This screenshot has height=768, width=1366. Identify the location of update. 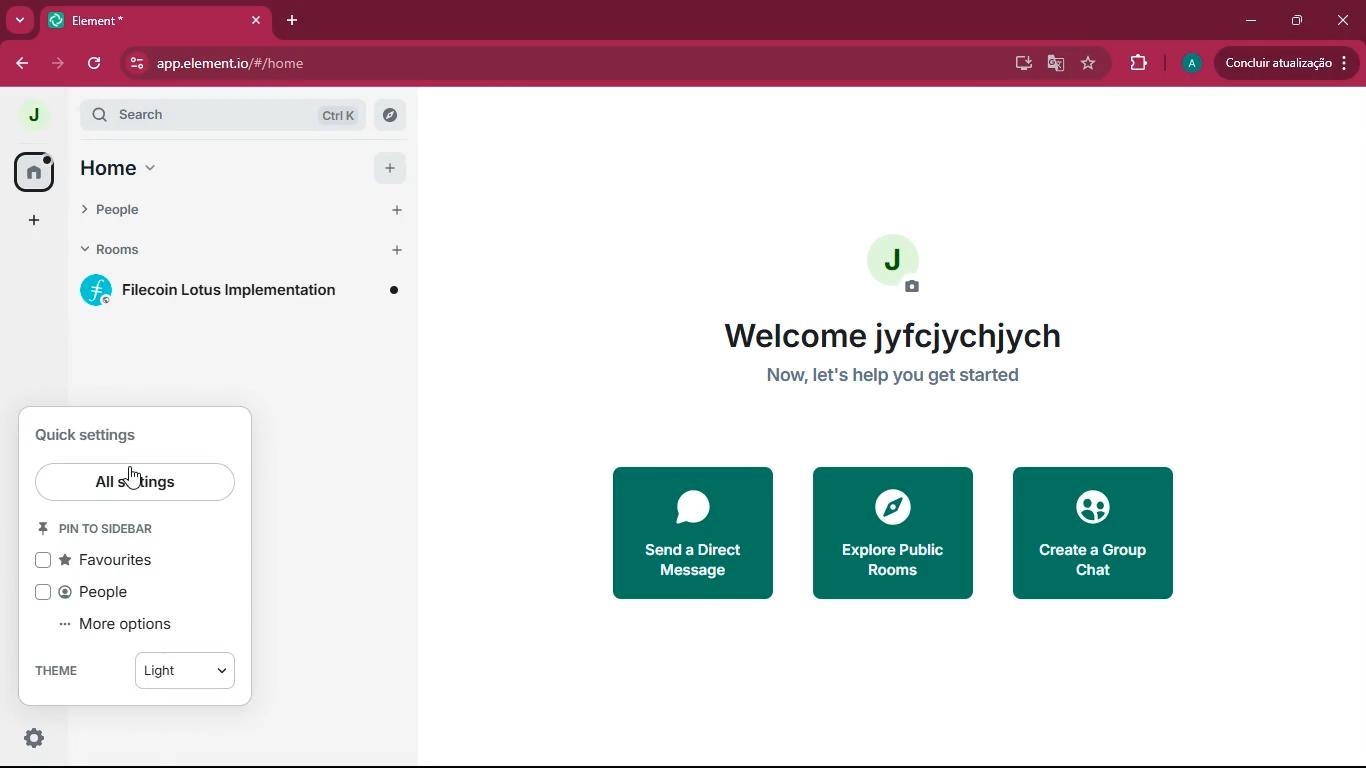
(1286, 64).